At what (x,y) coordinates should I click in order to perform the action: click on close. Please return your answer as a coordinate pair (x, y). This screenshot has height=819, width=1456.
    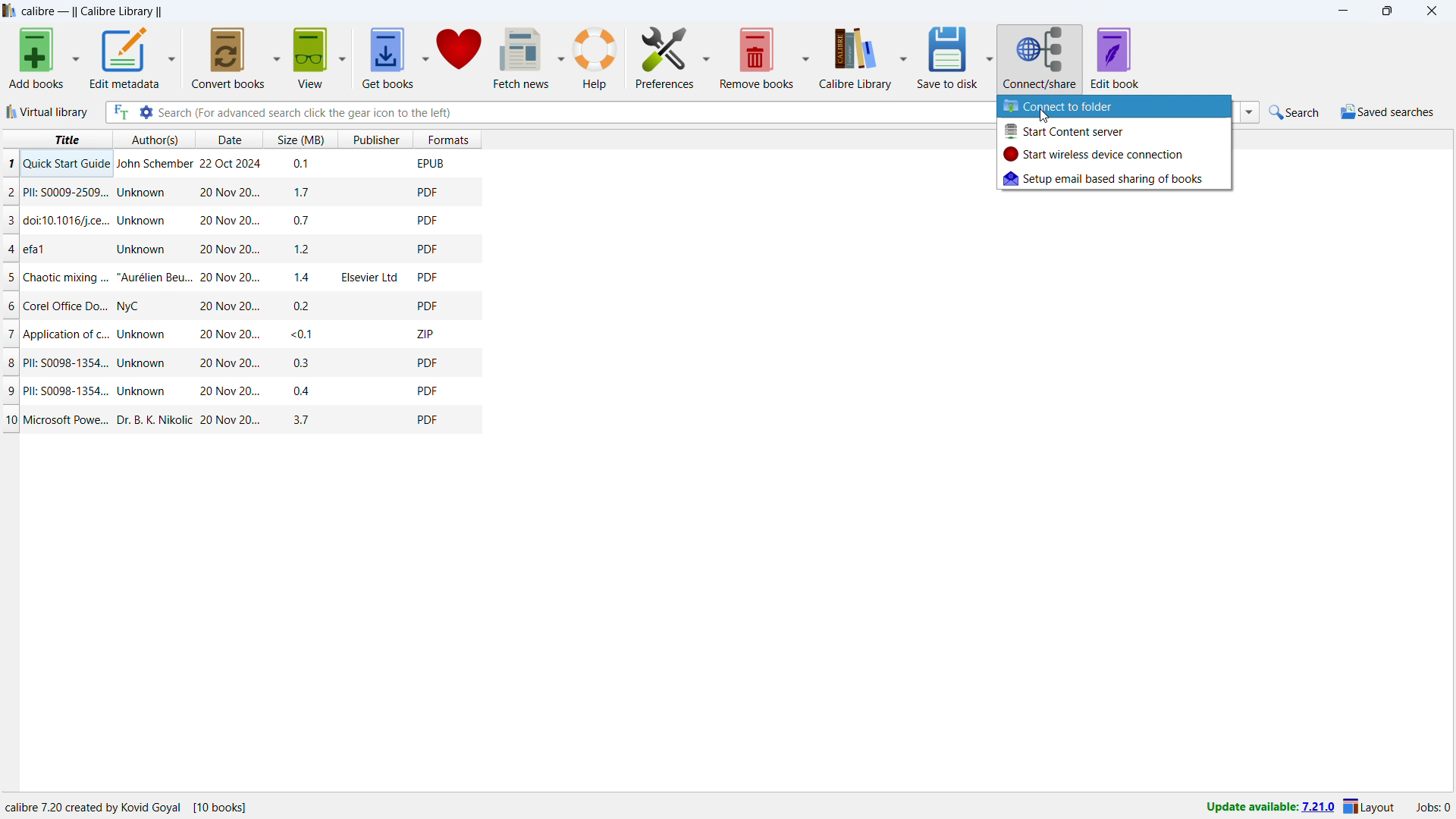
    Looking at the image, I should click on (1431, 11).